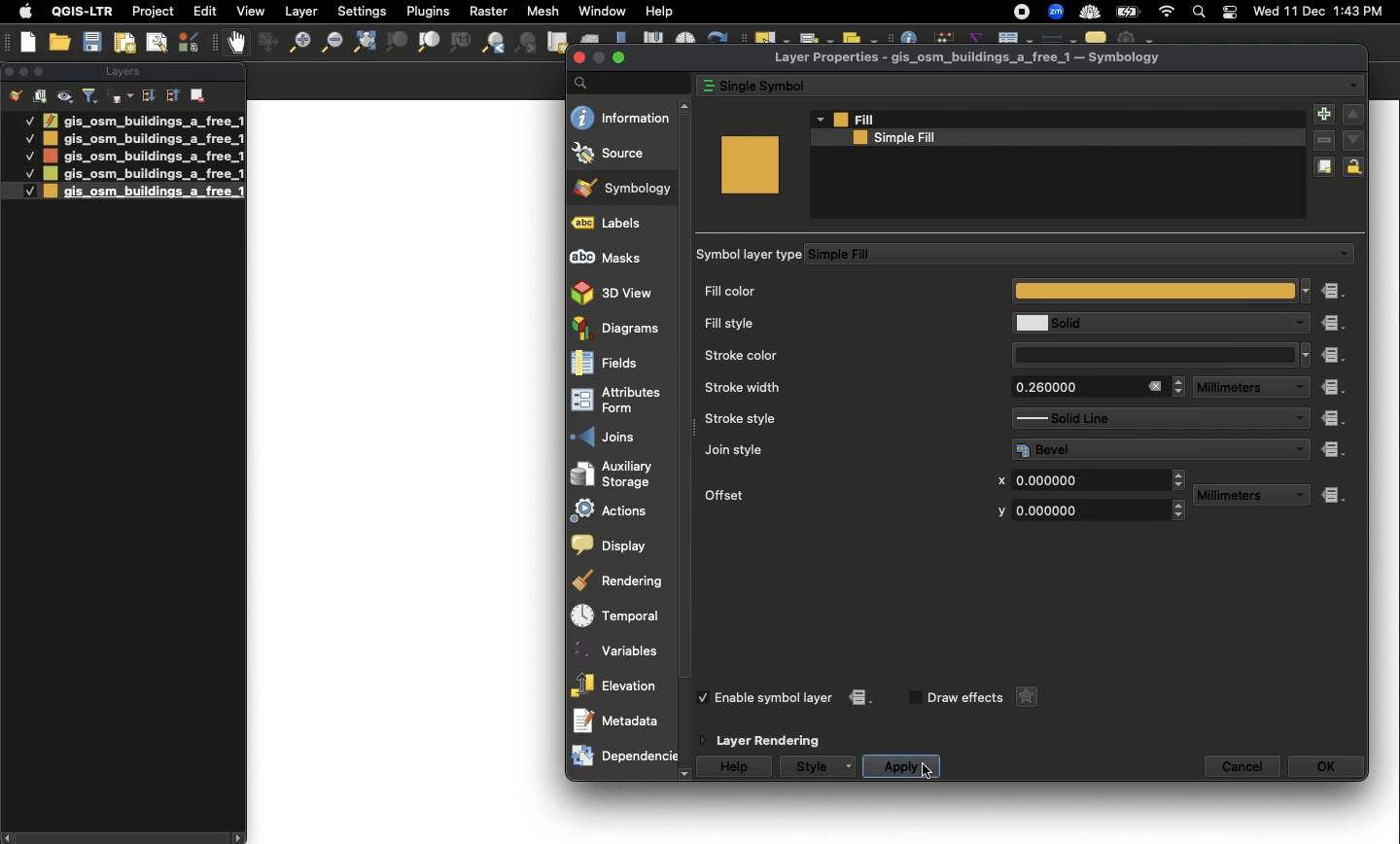 This screenshot has width=1400, height=844. What do you see at coordinates (1142, 418) in the screenshot?
I see `Solid Line` at bounding box center [1142, 418].